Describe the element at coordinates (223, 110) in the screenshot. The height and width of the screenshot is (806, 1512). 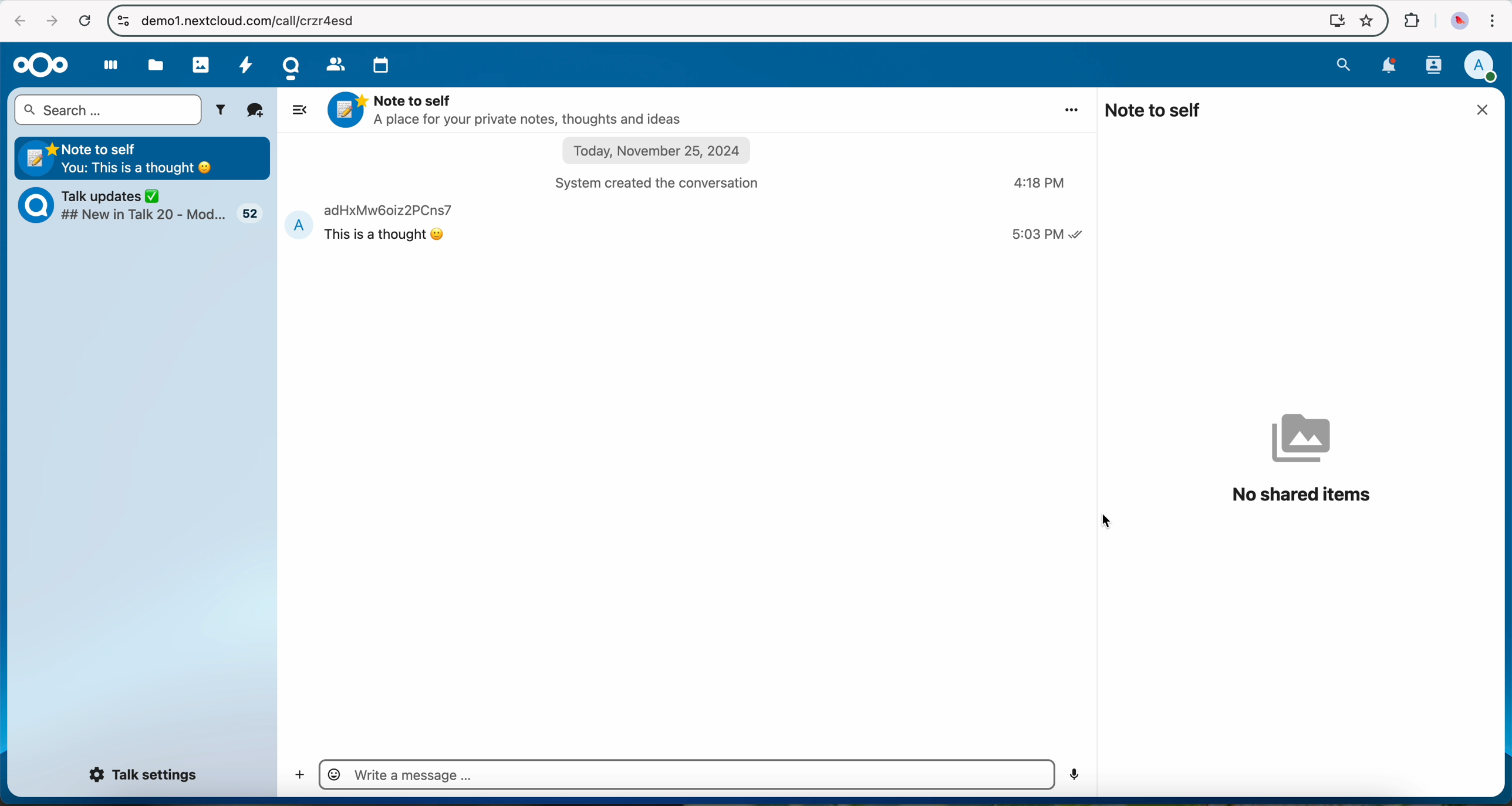
I see `filters` at that location.